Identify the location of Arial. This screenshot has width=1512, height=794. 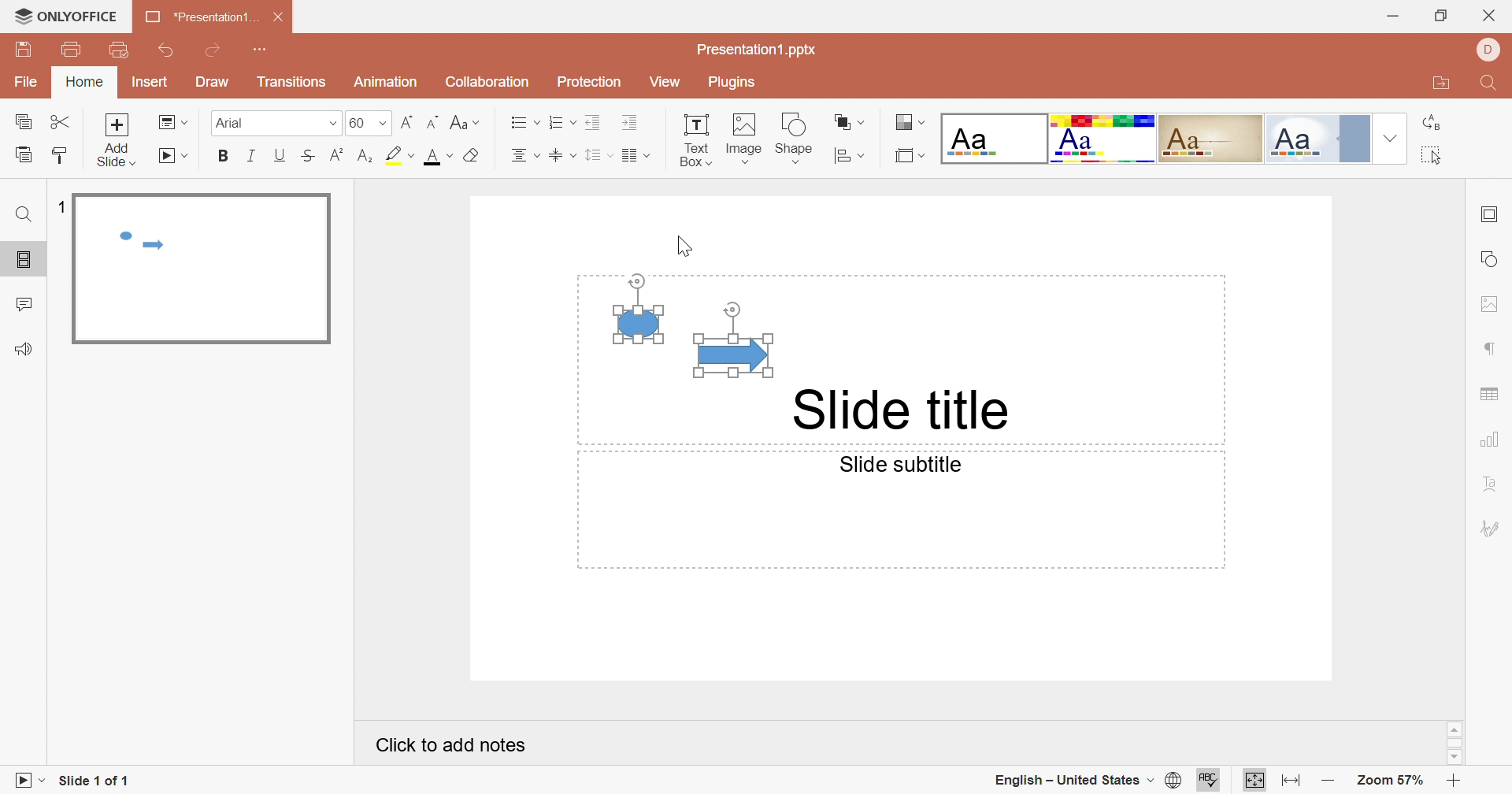
(276, 123).